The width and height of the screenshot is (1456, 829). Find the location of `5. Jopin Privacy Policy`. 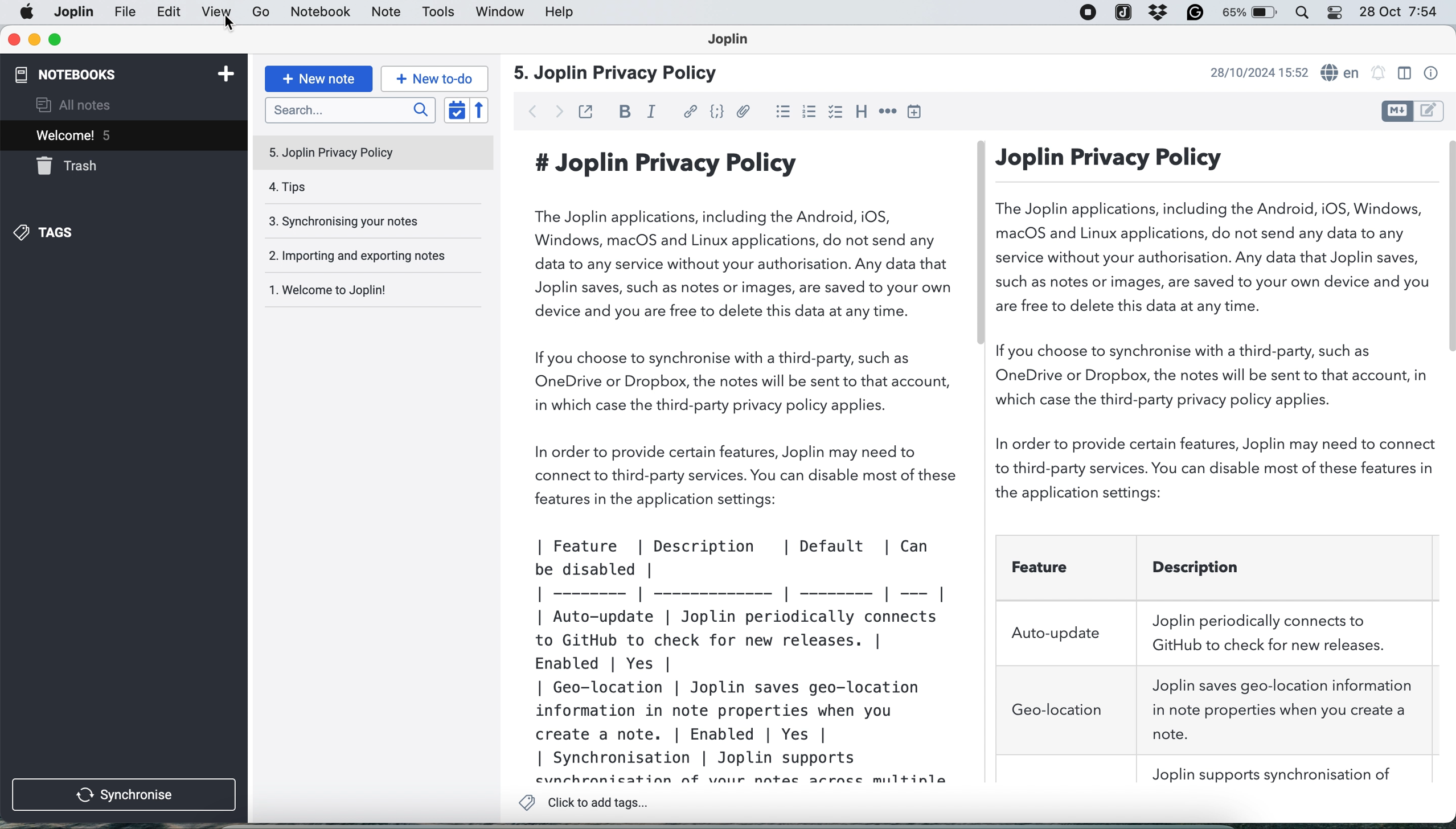

5. Jopin Privacy Policy is located at coordinates (370, 153).